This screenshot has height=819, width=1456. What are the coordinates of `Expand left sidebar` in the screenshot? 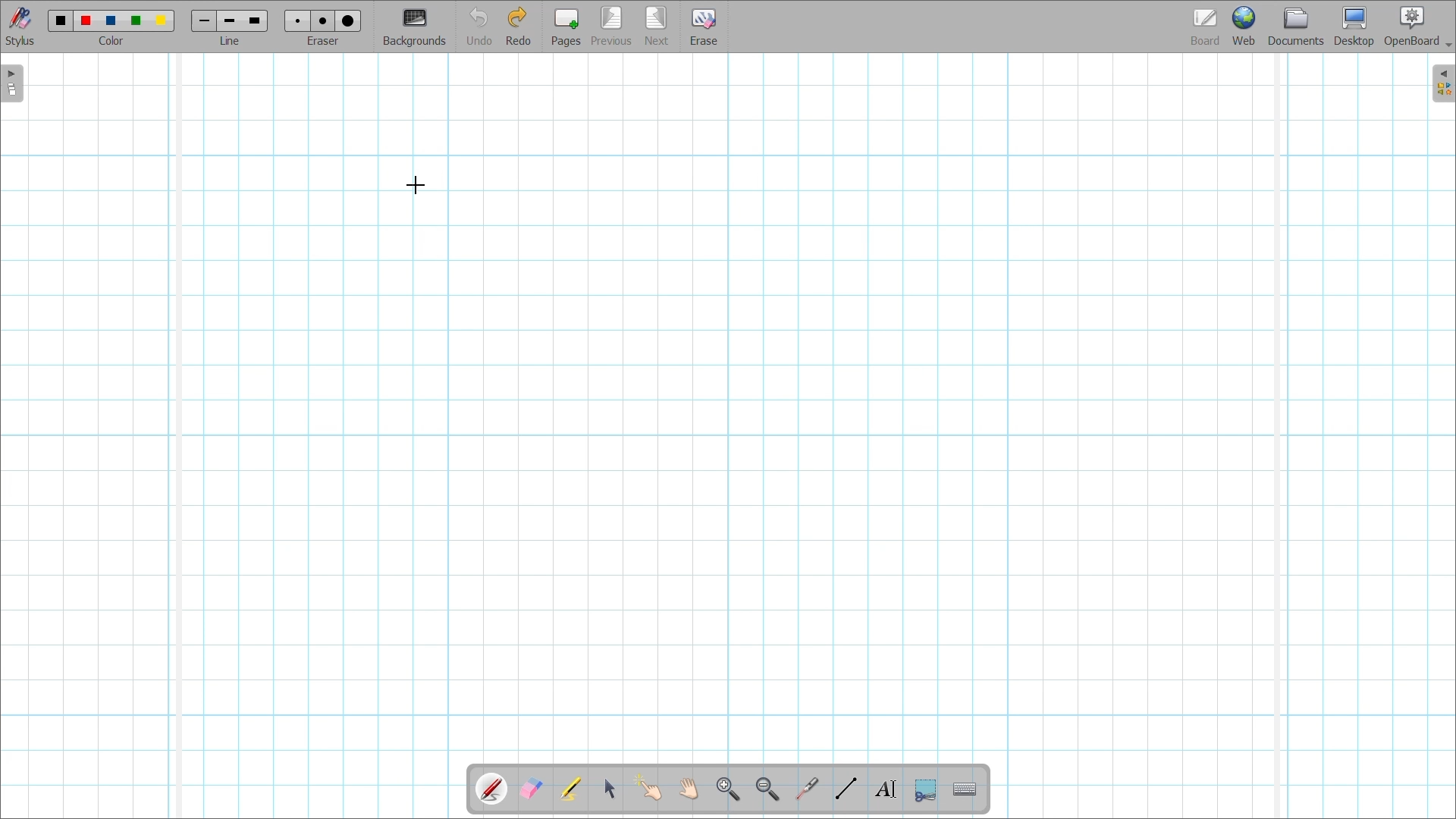 It's located at (11, 84).